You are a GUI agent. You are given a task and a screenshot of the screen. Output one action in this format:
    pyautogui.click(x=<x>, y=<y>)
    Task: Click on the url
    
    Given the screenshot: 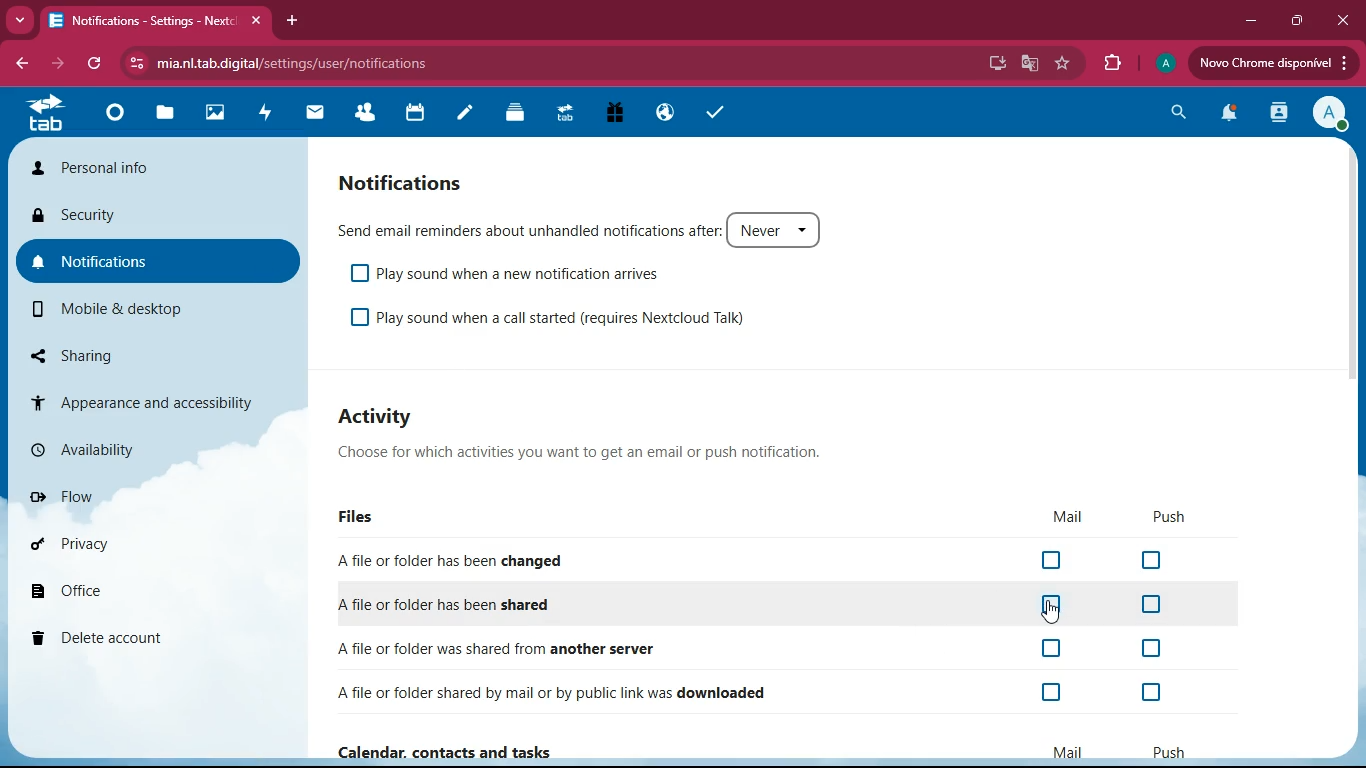 What is the action you would take?
    pyautogui.click(x=349, y=63)
    